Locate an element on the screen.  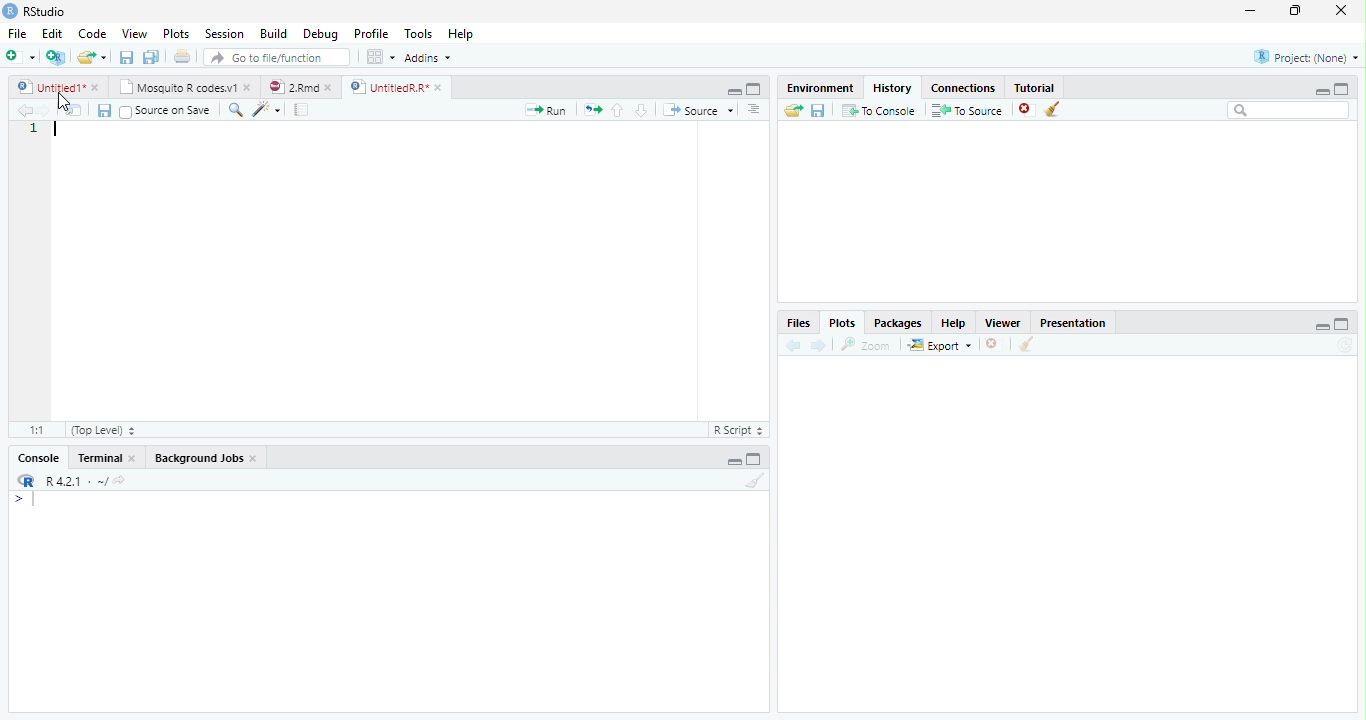
To Source is located at coordinates (968, 110).